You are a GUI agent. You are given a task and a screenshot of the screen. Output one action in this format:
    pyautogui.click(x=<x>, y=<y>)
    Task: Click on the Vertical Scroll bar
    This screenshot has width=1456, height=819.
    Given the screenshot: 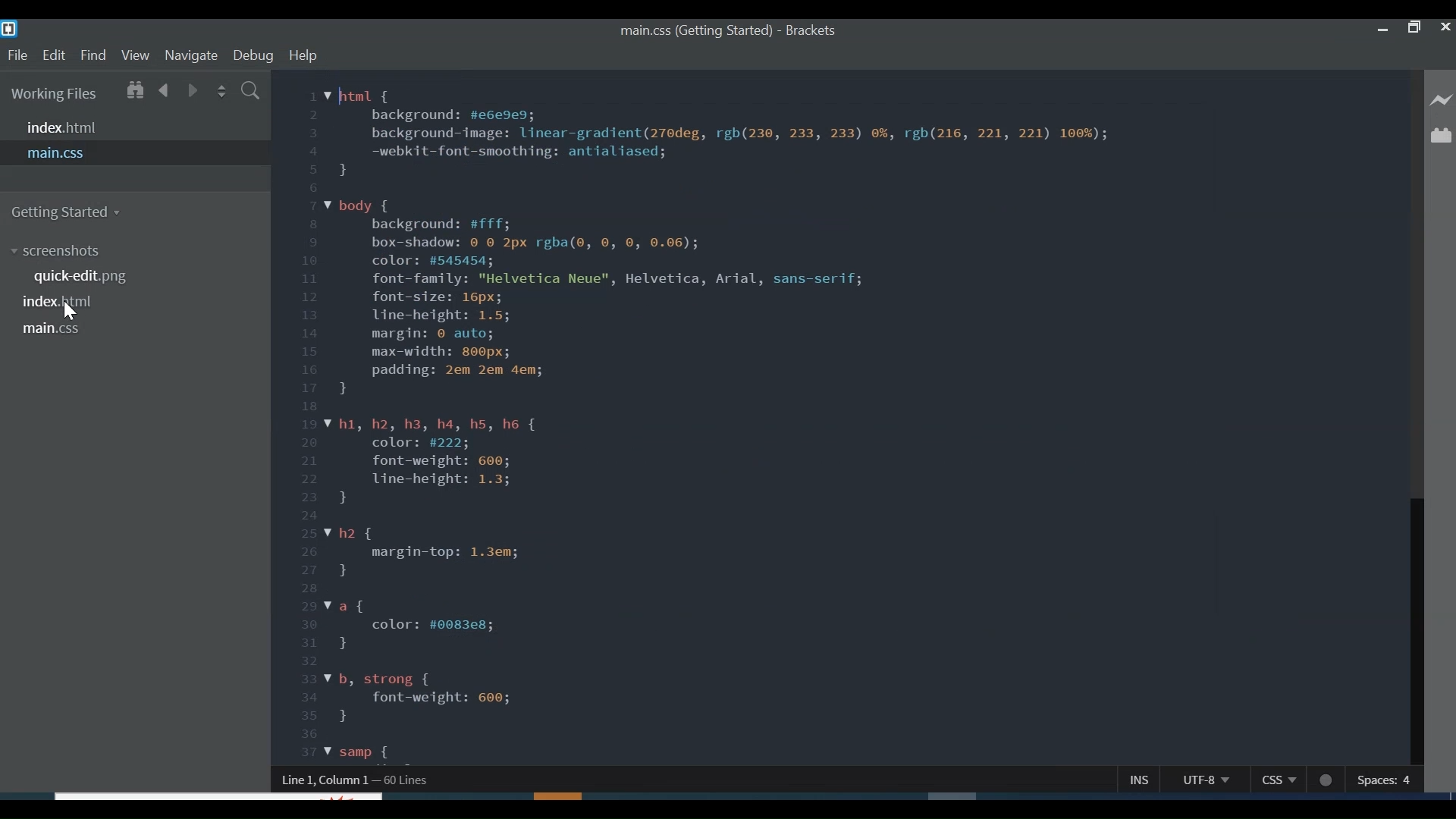 What is the action you would take?
    pyautogui.click(x=1416, y=480)
    